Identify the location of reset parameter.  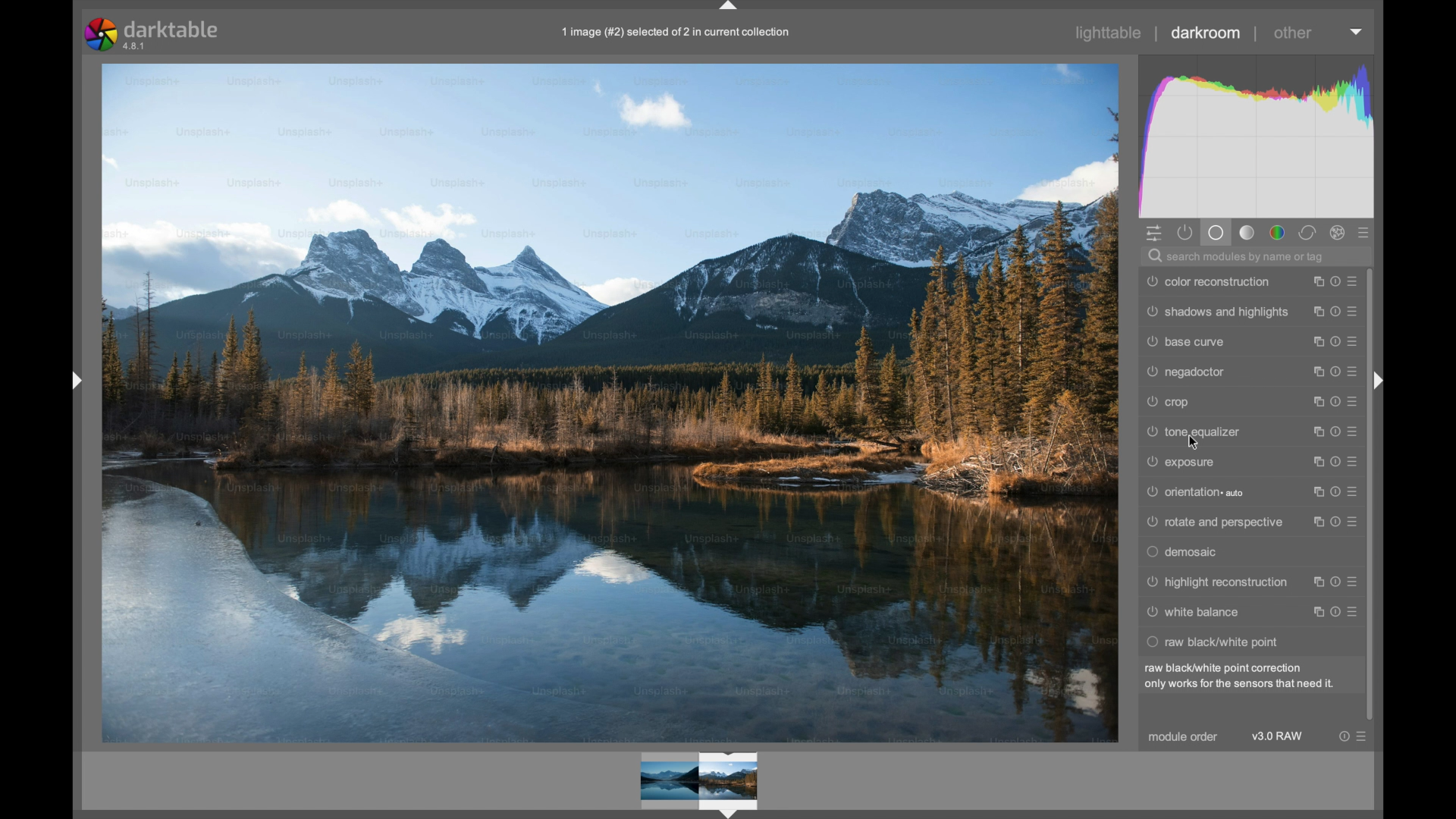
(1335, 401).